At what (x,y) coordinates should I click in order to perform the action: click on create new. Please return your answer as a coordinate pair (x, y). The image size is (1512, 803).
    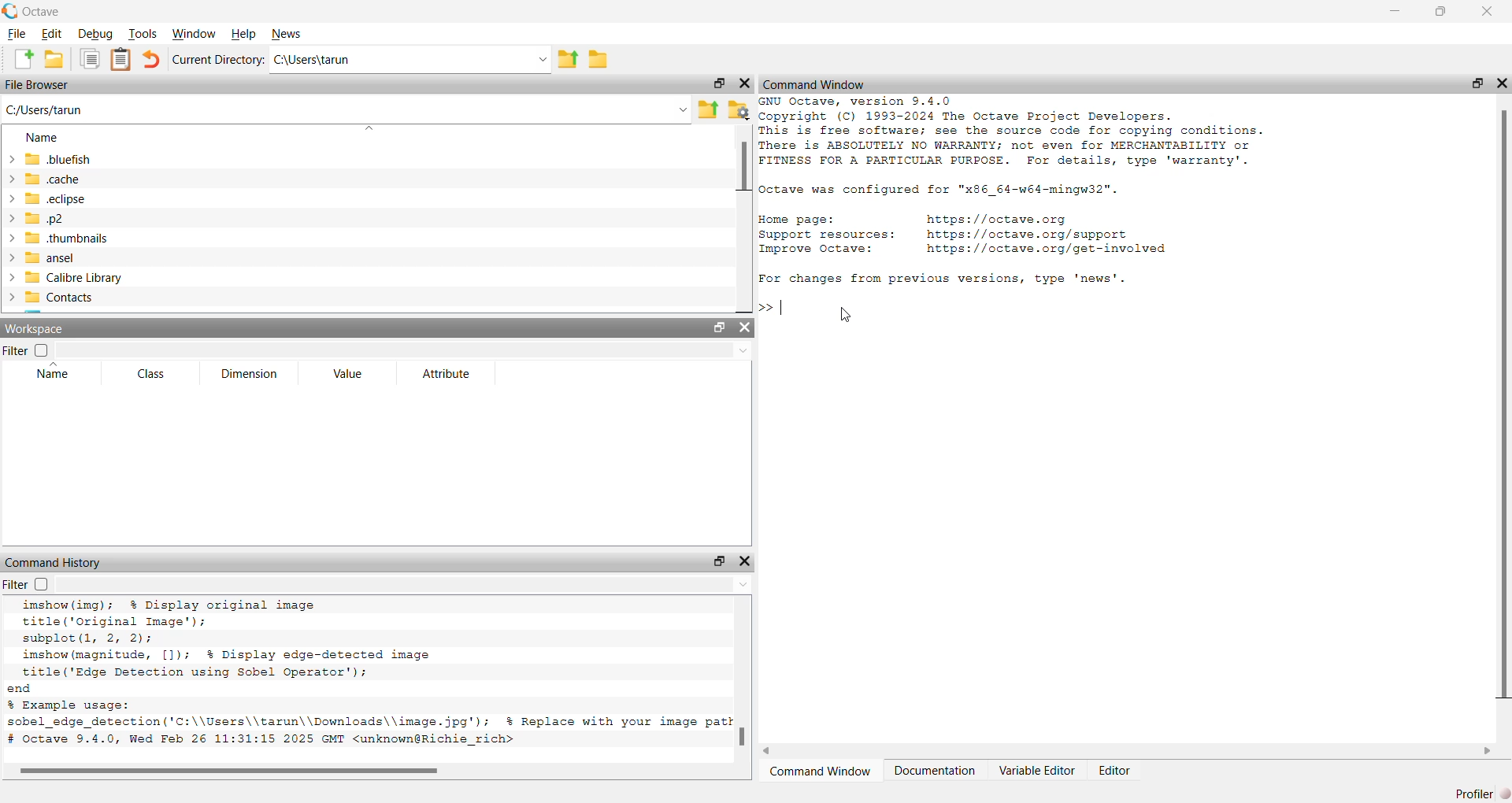
    Looking at the image, I should click on (23, 59).